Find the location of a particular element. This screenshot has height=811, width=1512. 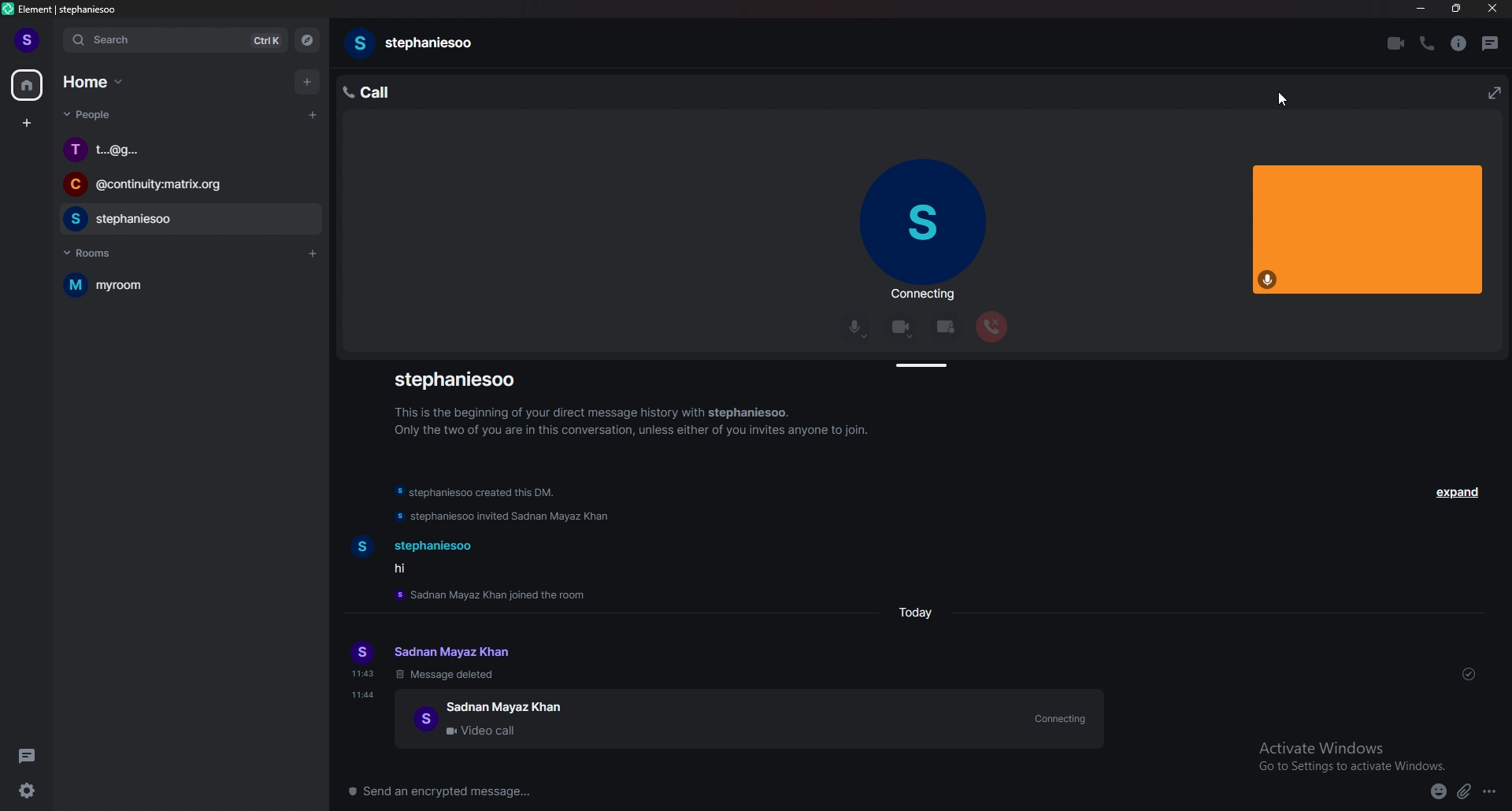

resize is located at coordinates (1458, 9).